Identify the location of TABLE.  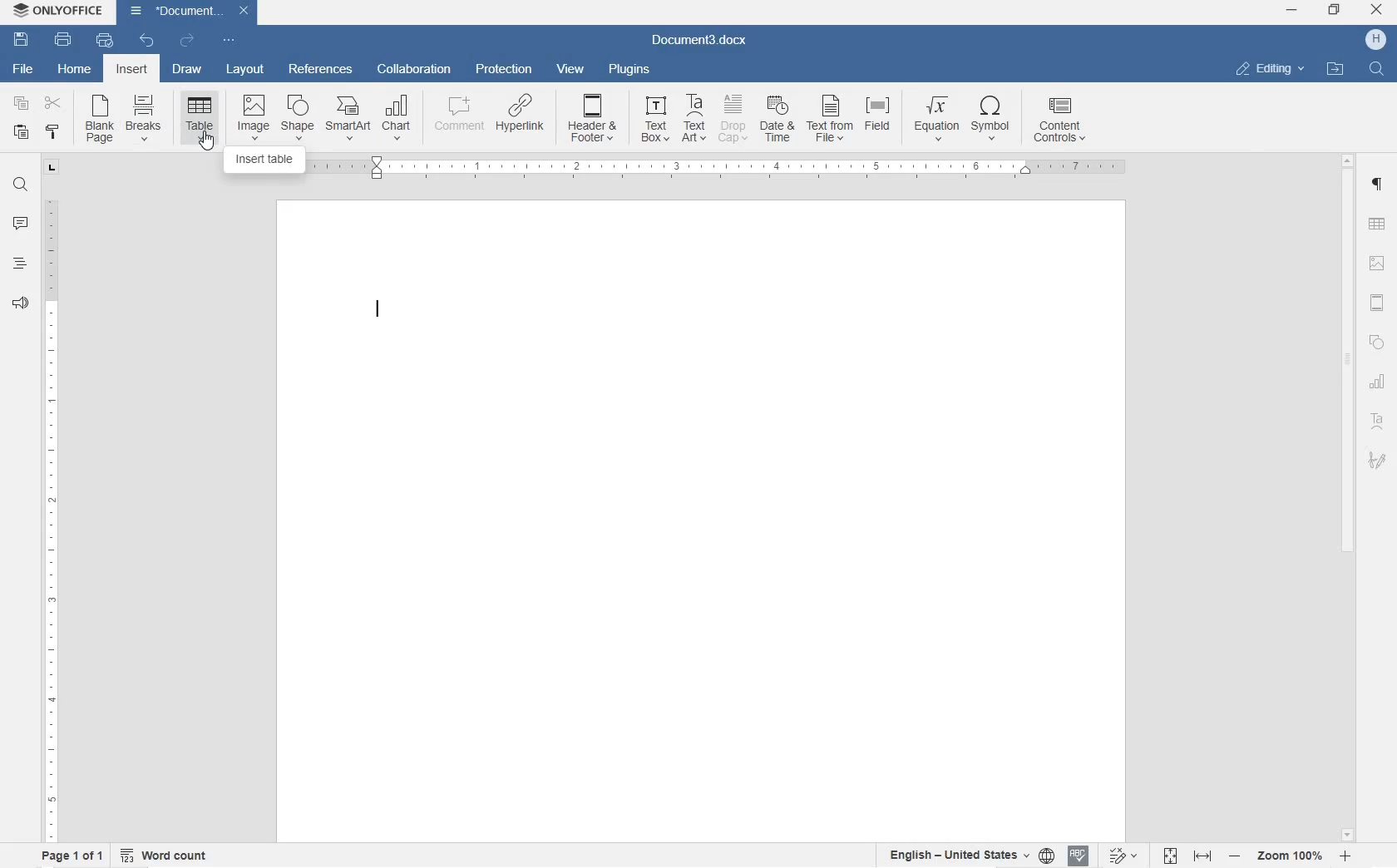
(1376, 225).